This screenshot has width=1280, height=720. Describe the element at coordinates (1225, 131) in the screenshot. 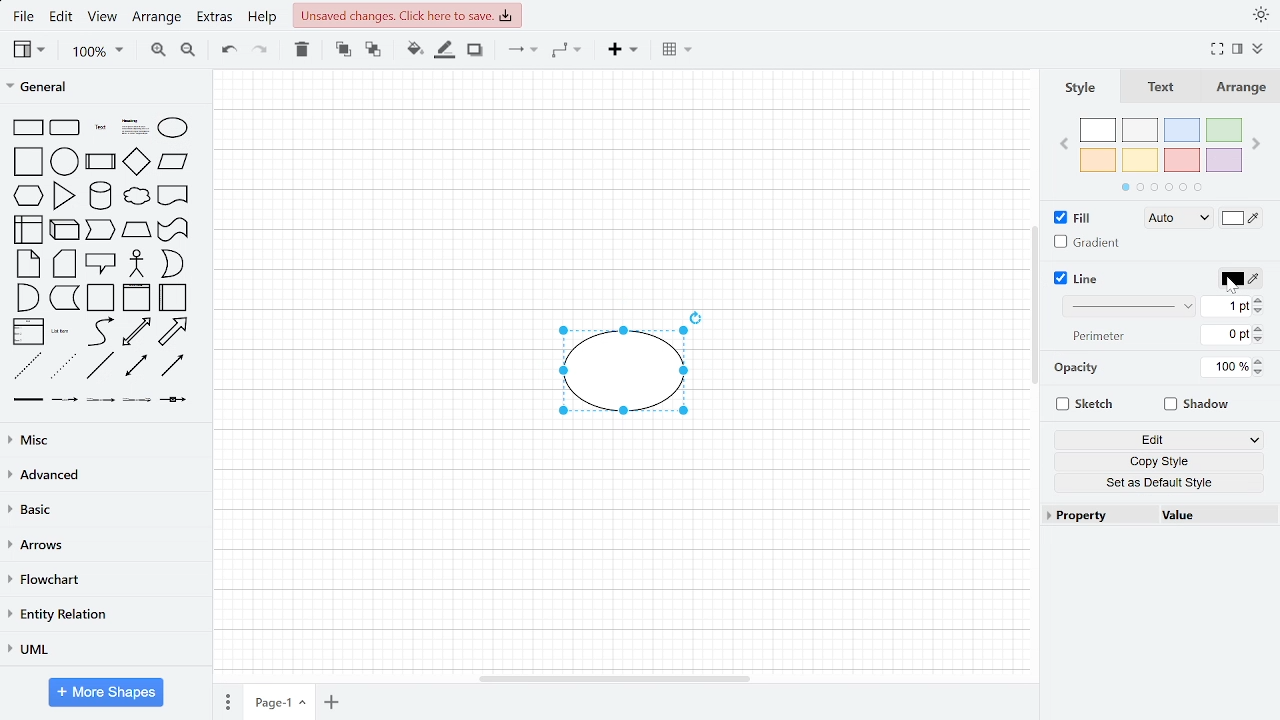

I see `green` at that location.